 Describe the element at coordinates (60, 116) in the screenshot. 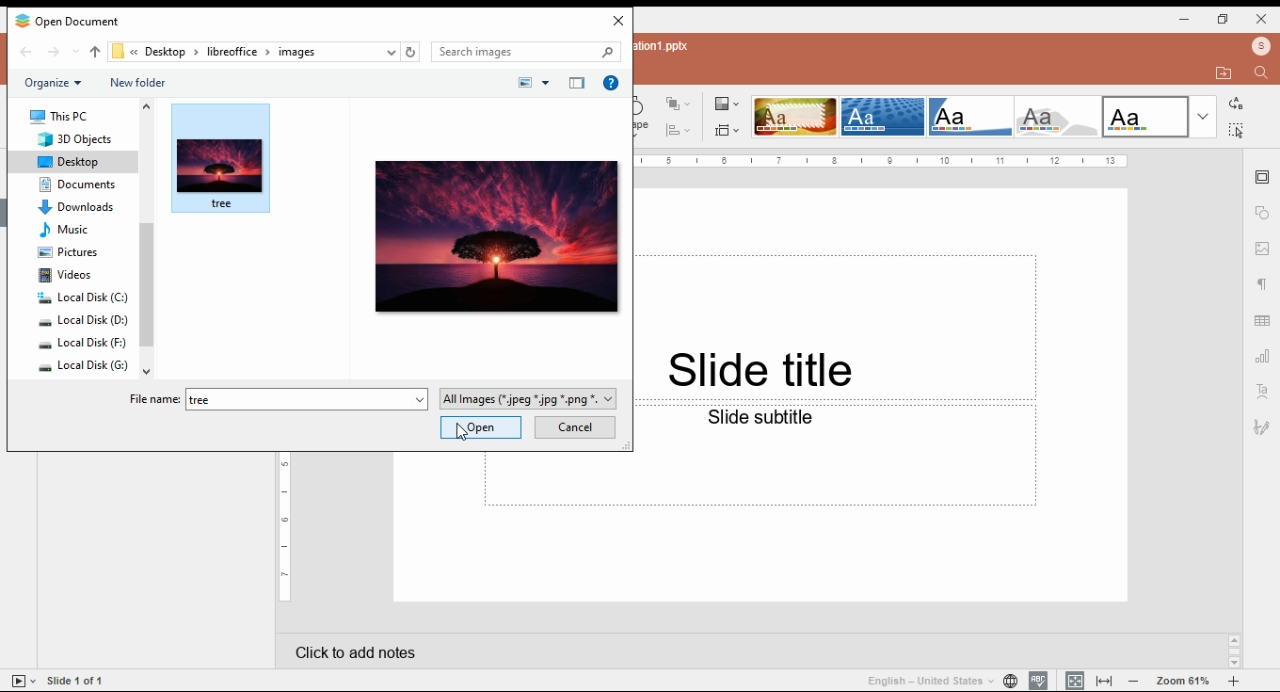

I see `this PC` at that location.